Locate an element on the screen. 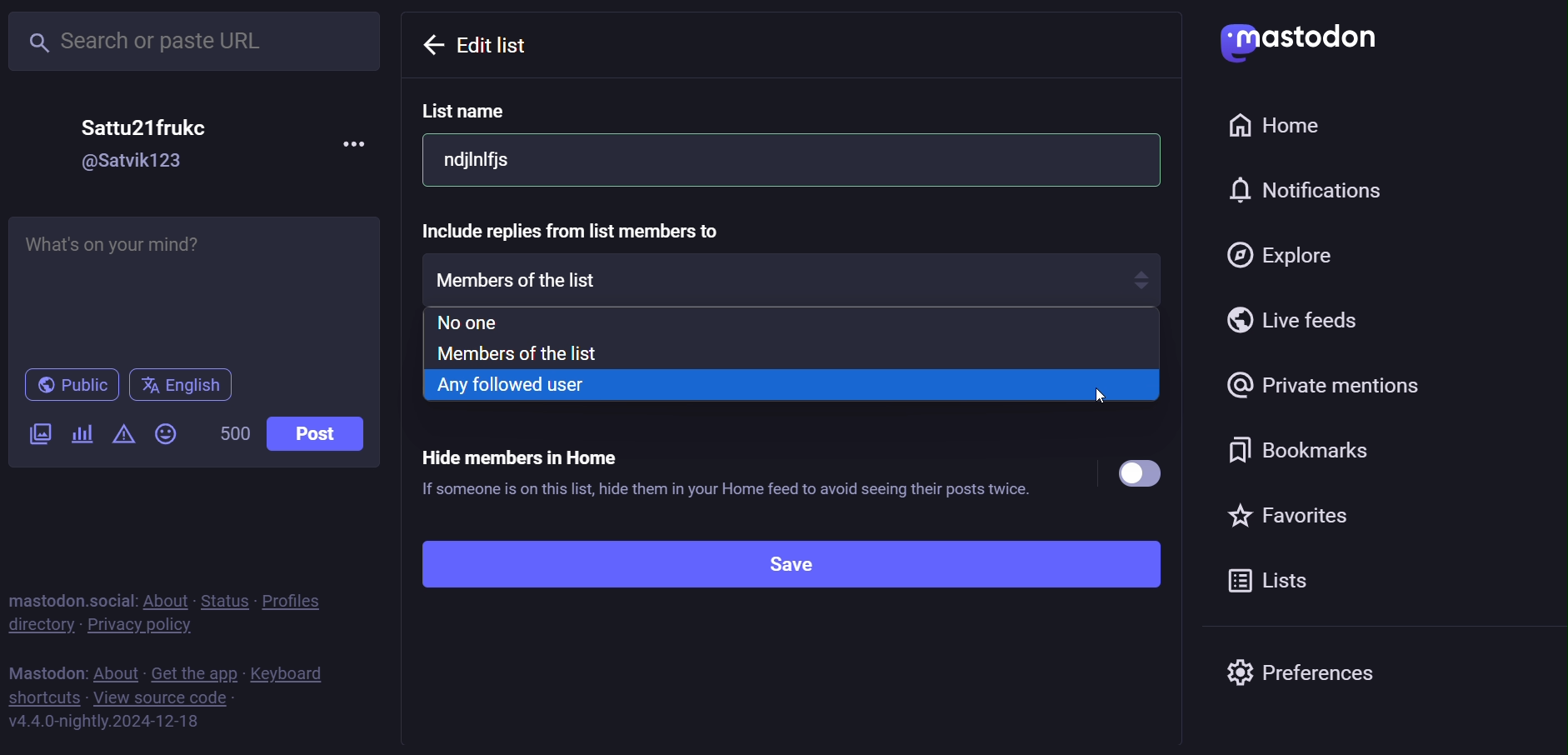  public is located at coordinates (69, 384).